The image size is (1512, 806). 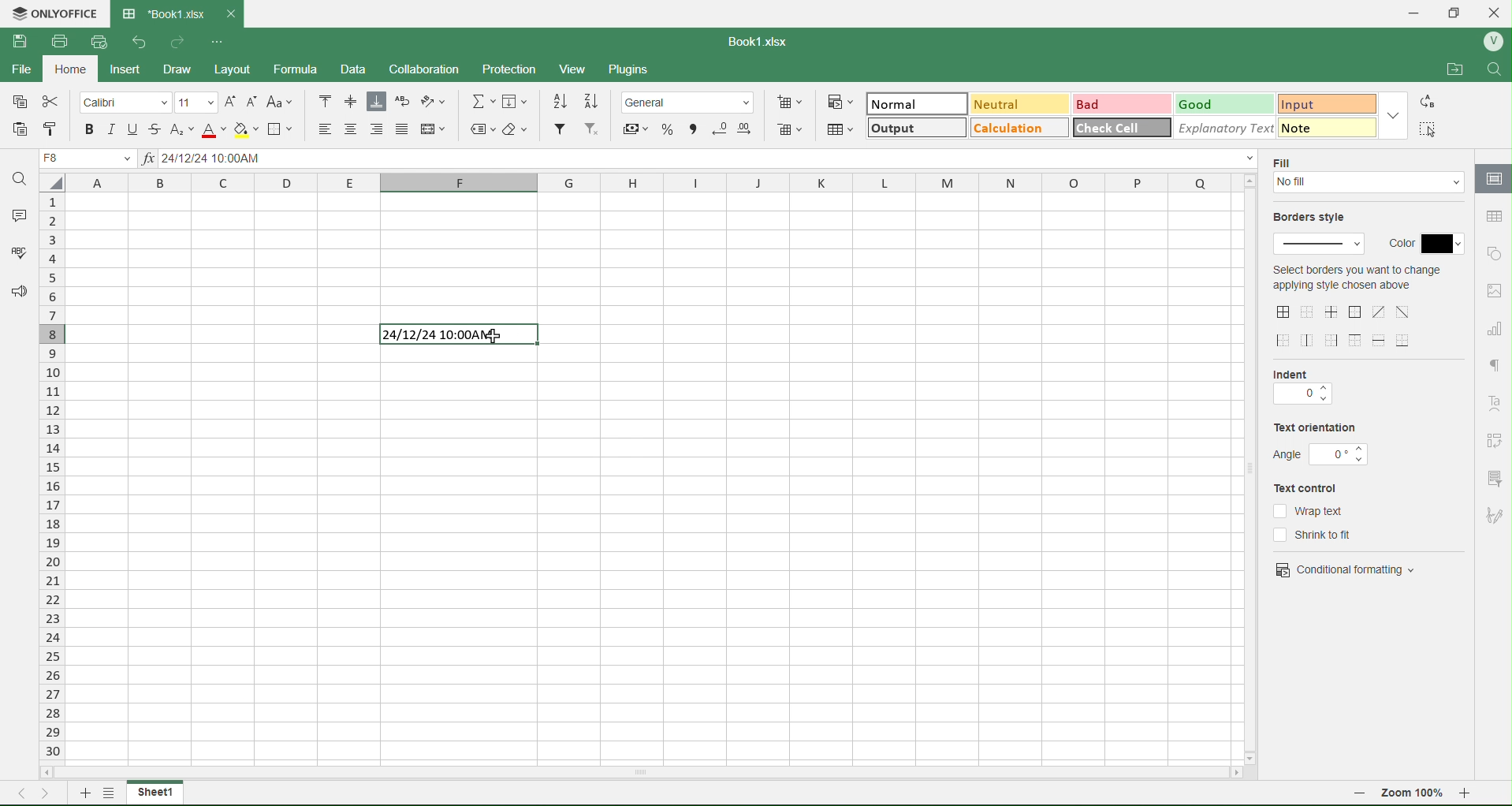 What do you see at coordinates (284, 129) in the screenshot?
I see `Borders` at bounding box center [284, 129].